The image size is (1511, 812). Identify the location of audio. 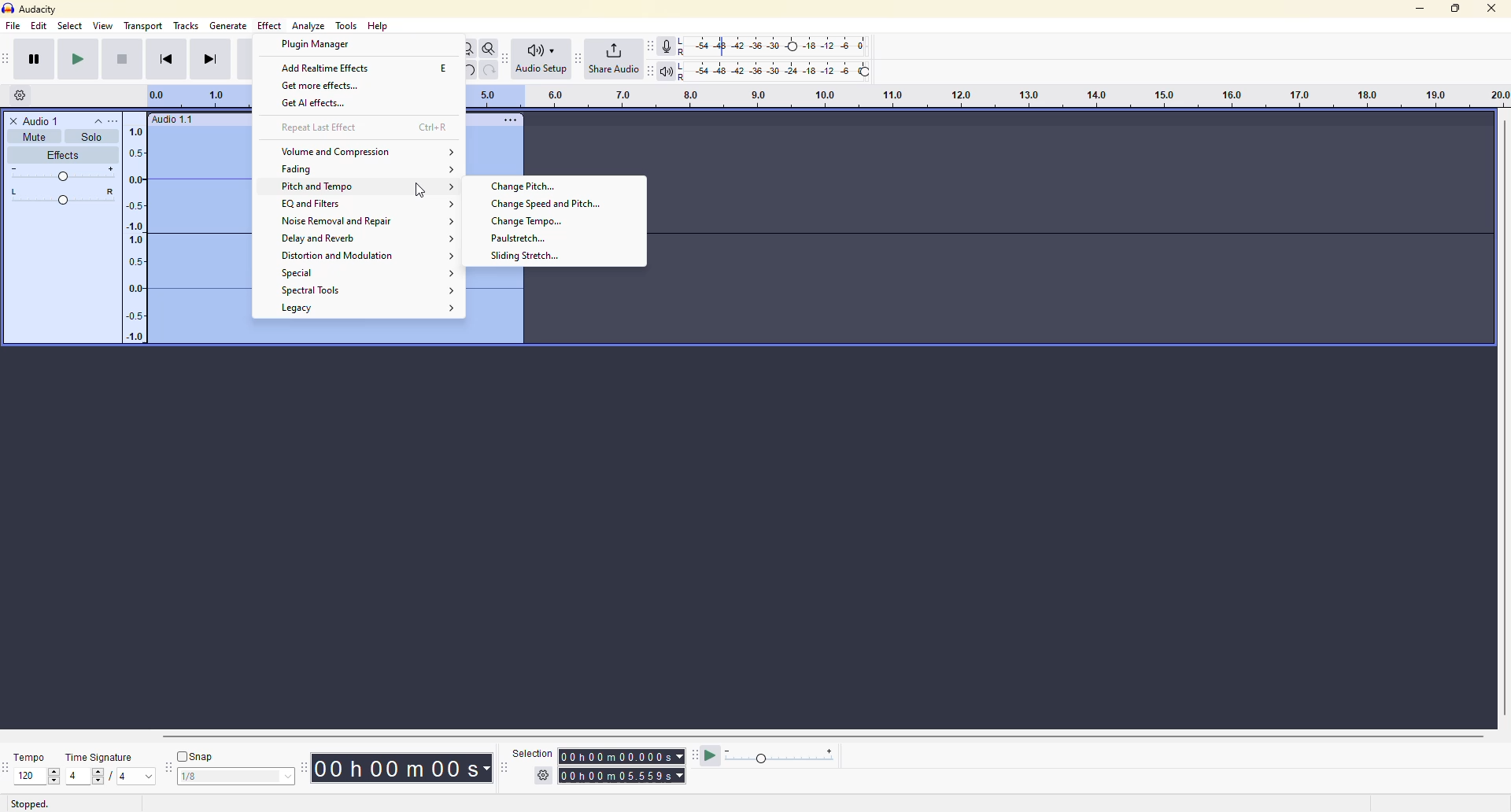
(181, 237).